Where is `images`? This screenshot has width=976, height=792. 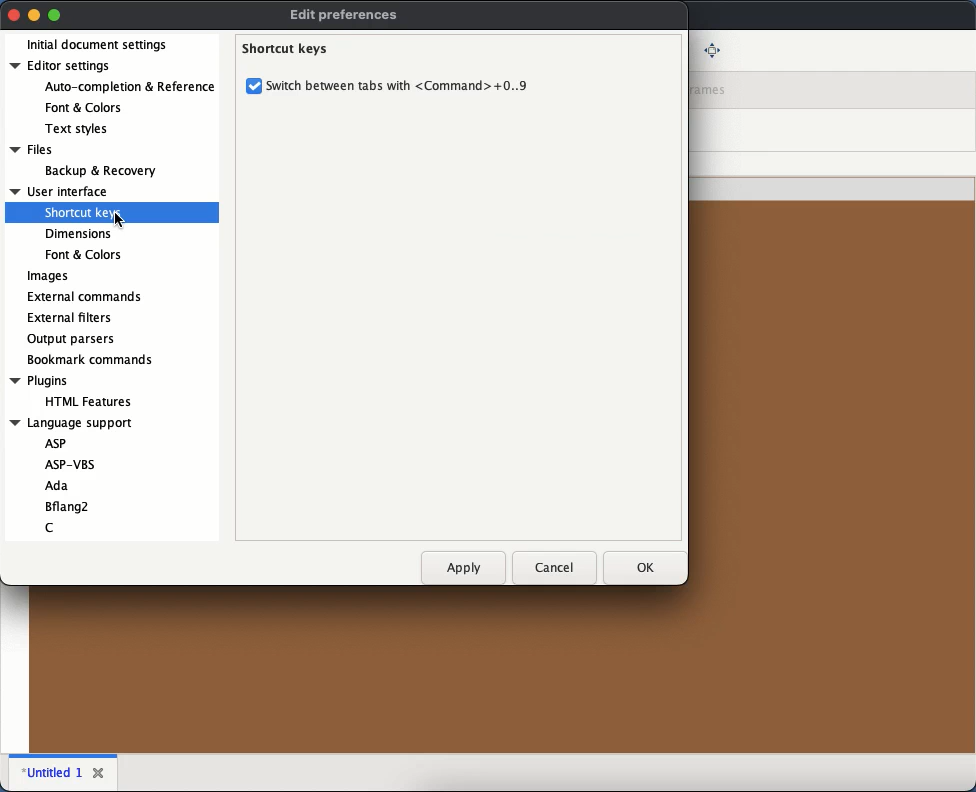 images is located at coordinates (49, 276).